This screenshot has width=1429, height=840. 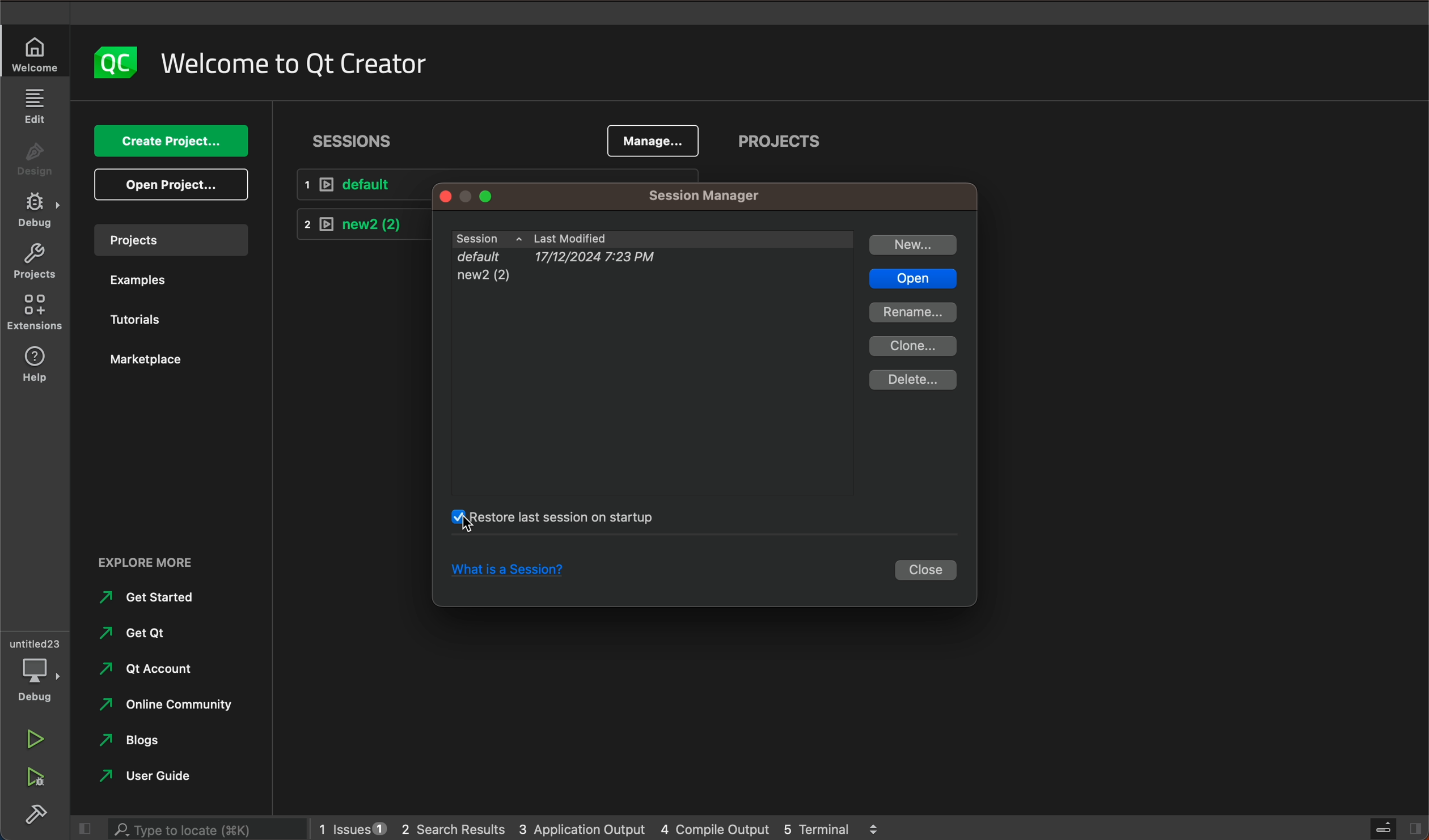 I want to click on logo, so click(x=113, y=62).